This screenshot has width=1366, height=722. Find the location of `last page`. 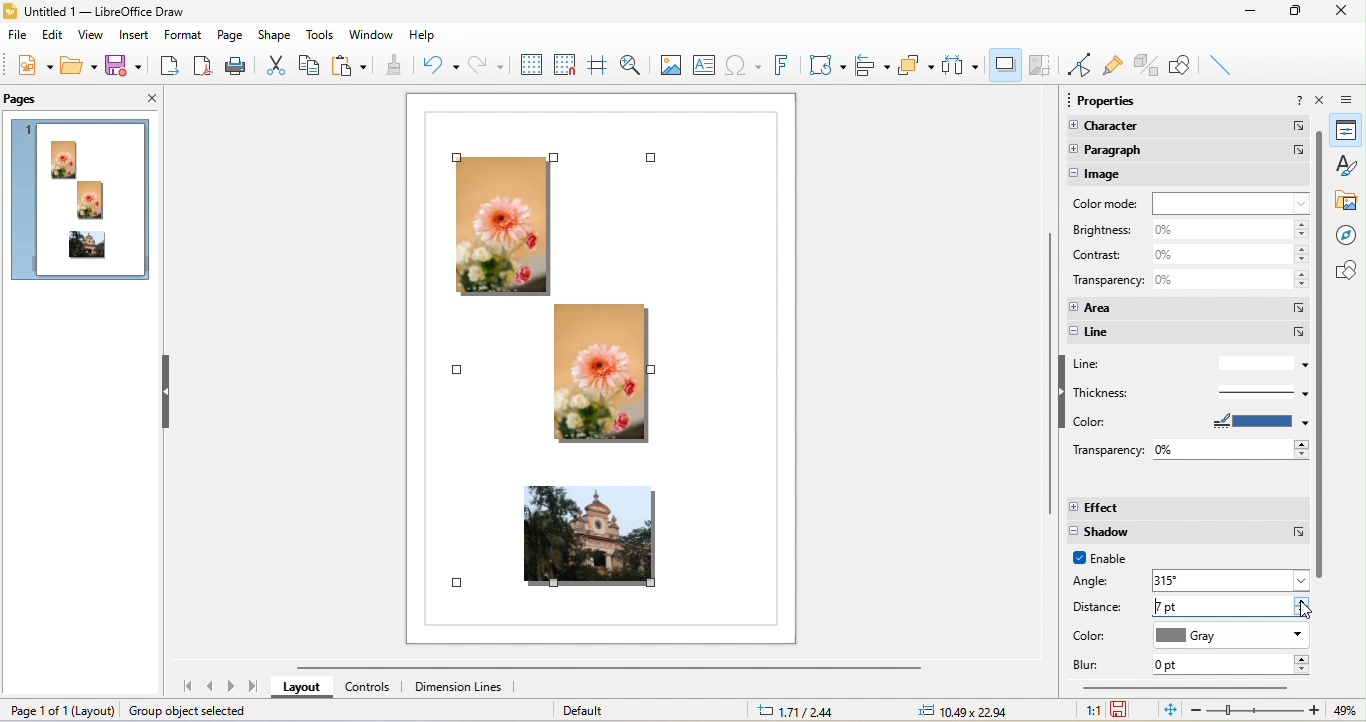

last page is located at coordinates (254, 687).